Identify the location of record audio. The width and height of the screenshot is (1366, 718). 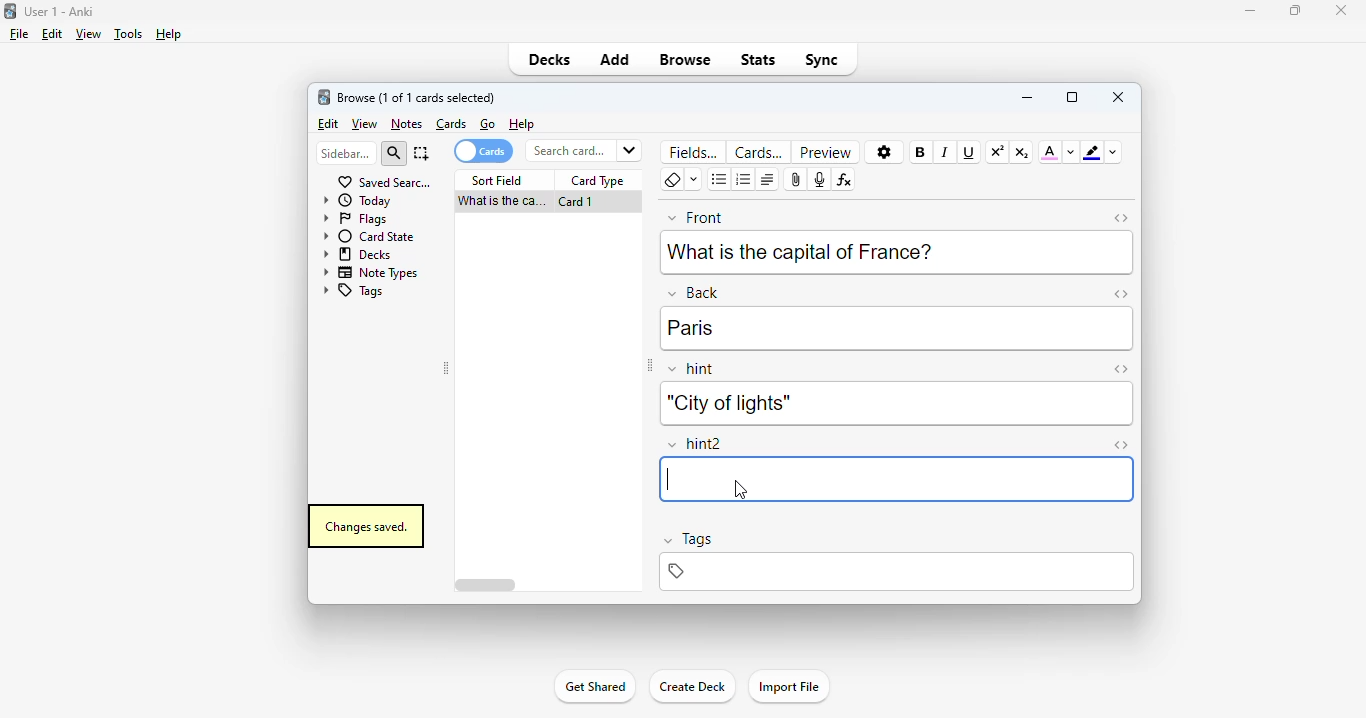
(819, 180).